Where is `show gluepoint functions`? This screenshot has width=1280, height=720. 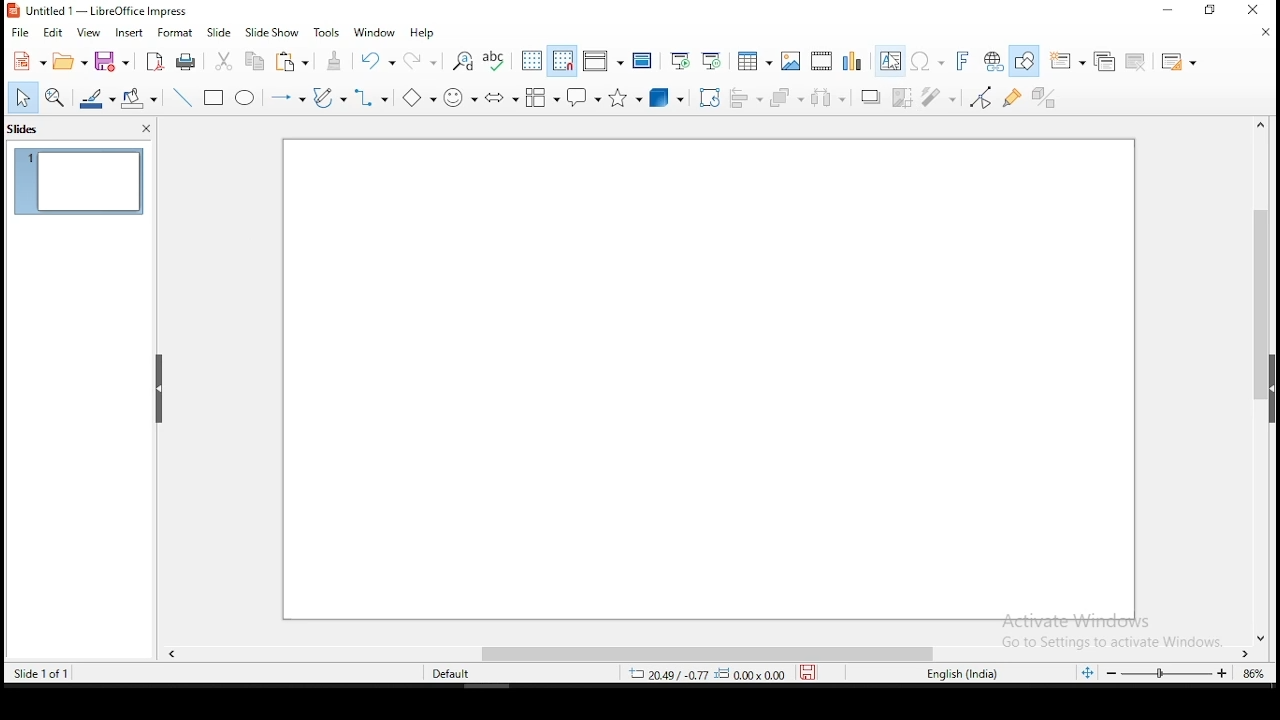
show gluepoint functions is located at coordinates (1012, 98).